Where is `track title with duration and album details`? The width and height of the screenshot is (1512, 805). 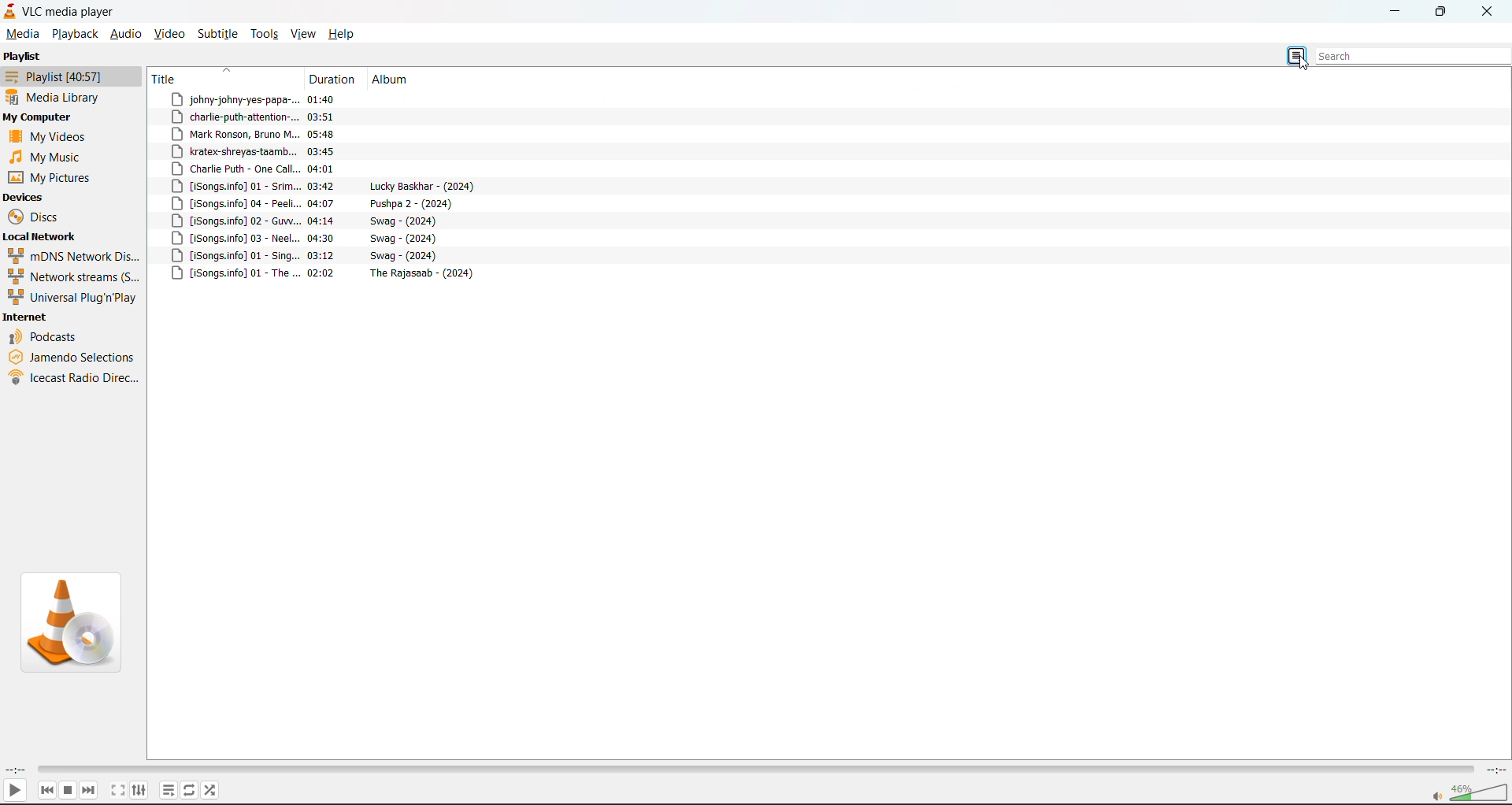
track title with duration and album details is located at coordinates (298, 169).